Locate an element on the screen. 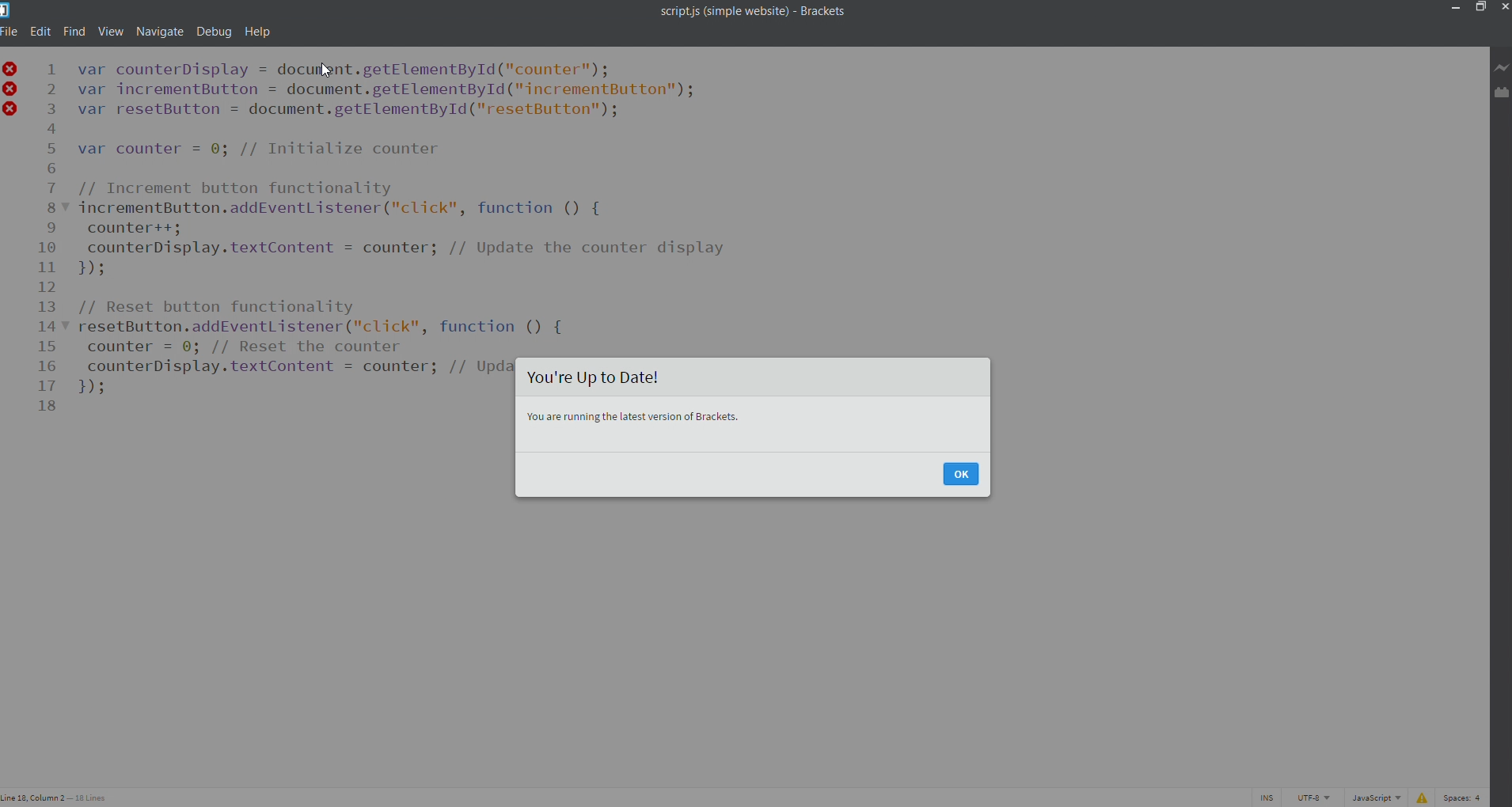 The image size is (1512, 807). var countervisplay = document.getclementbyld{ counter),var incrementButton = document.getElementById("incrementButton");var resetButton = document.getElementById("resetButton");var counter = 0; // Initialize counter// Increment button functionalityincrementButton.addEventListener("click", function () {counter++;counterDisplay.textContent = counter; // Update the counter displ19H// Reset button functionalityresetButton.addEventListener("click", function () {counter = 0; // Reset the countercounterDisplay.textContent = counter; // Update the counter display is located at coordinates (406, 204).